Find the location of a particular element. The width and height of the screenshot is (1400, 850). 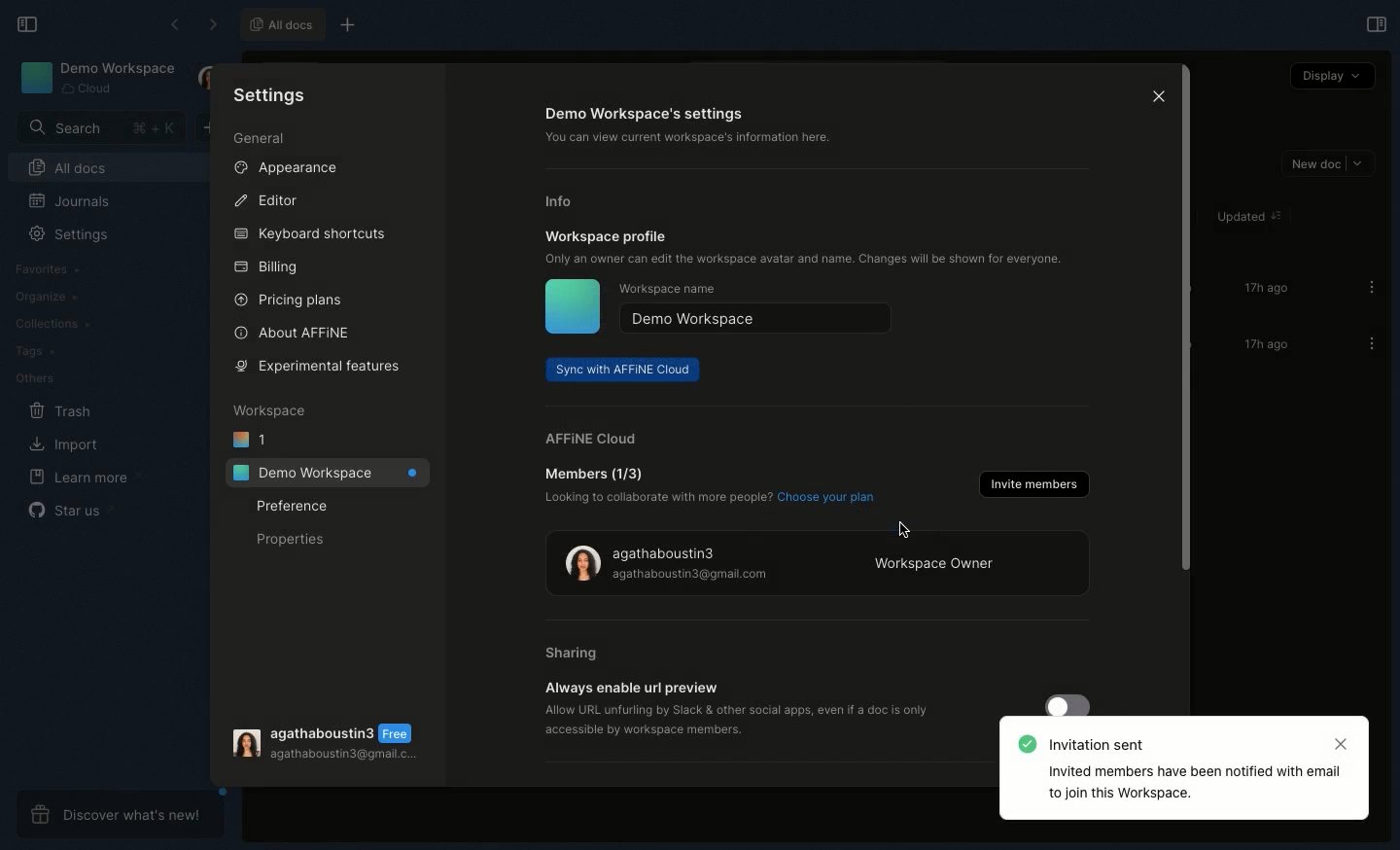

Collections is located at coordinates (52, 322).